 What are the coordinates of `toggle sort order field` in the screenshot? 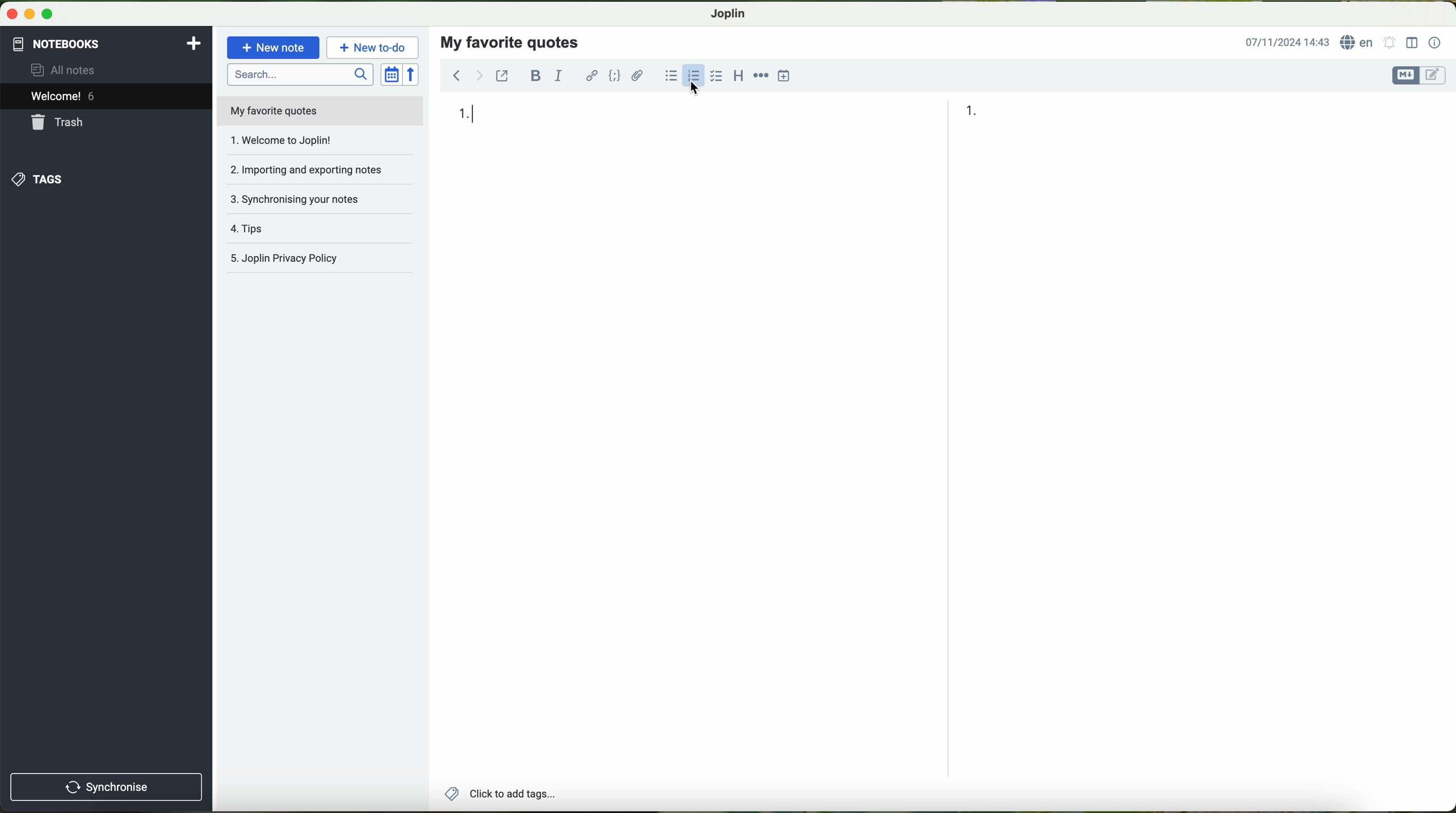 It's located at (389, 75).